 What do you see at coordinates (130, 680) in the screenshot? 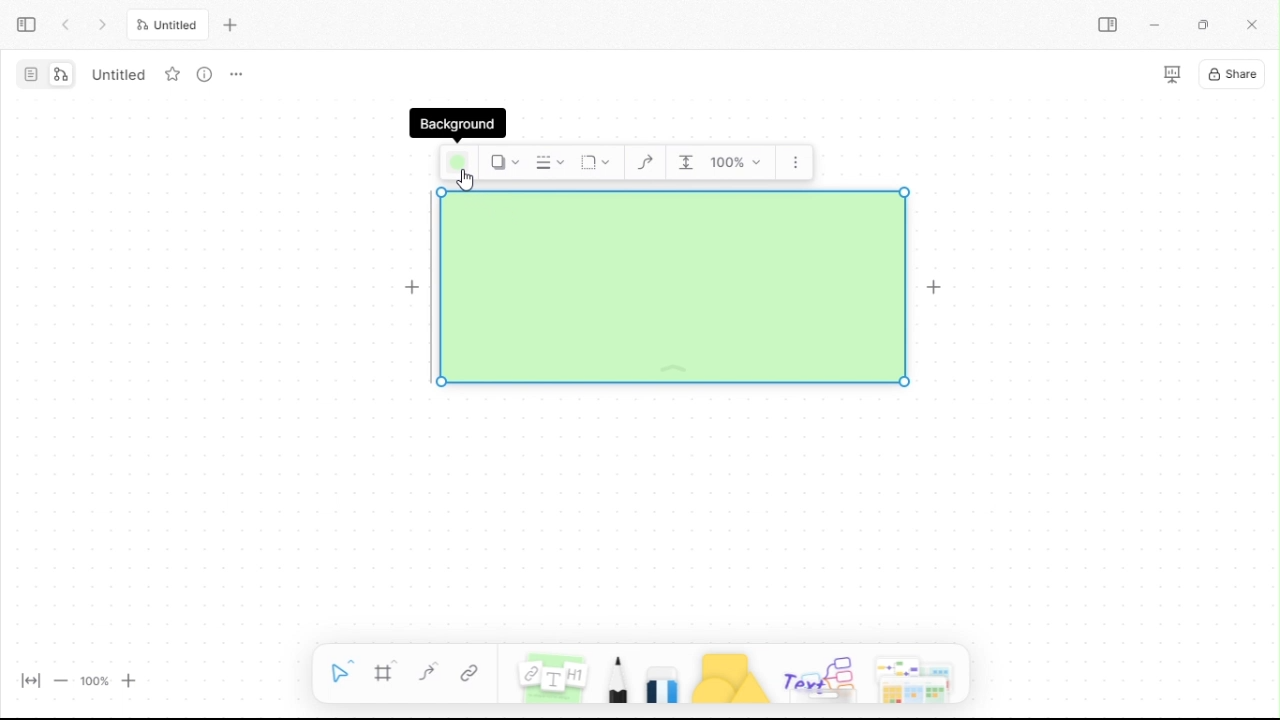
I see `zoom in` at bounding box center [130, 680].